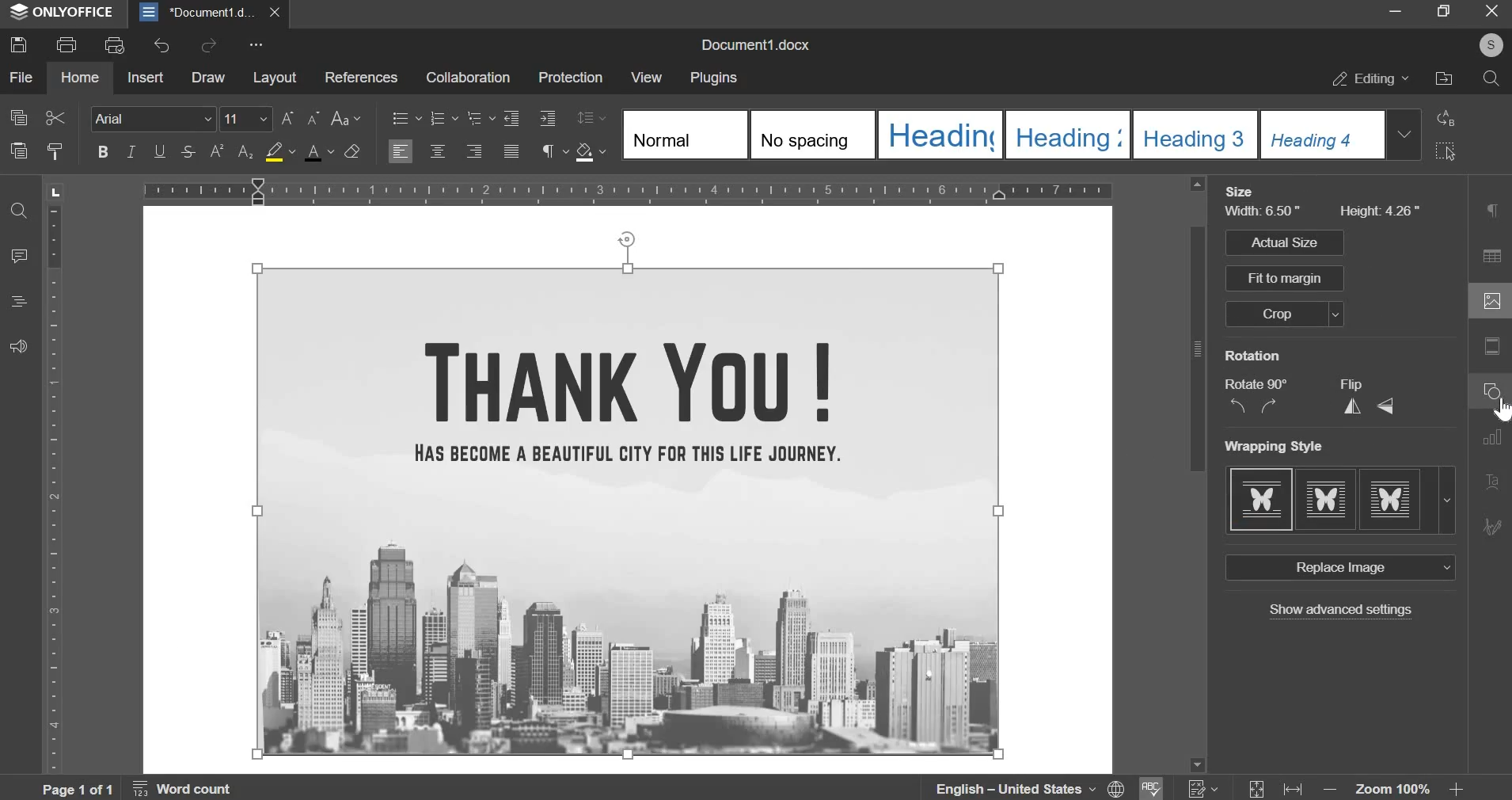 This screenshot has width=1512, height=800. I want to click on Paragraph settings, so click(1488, 211).